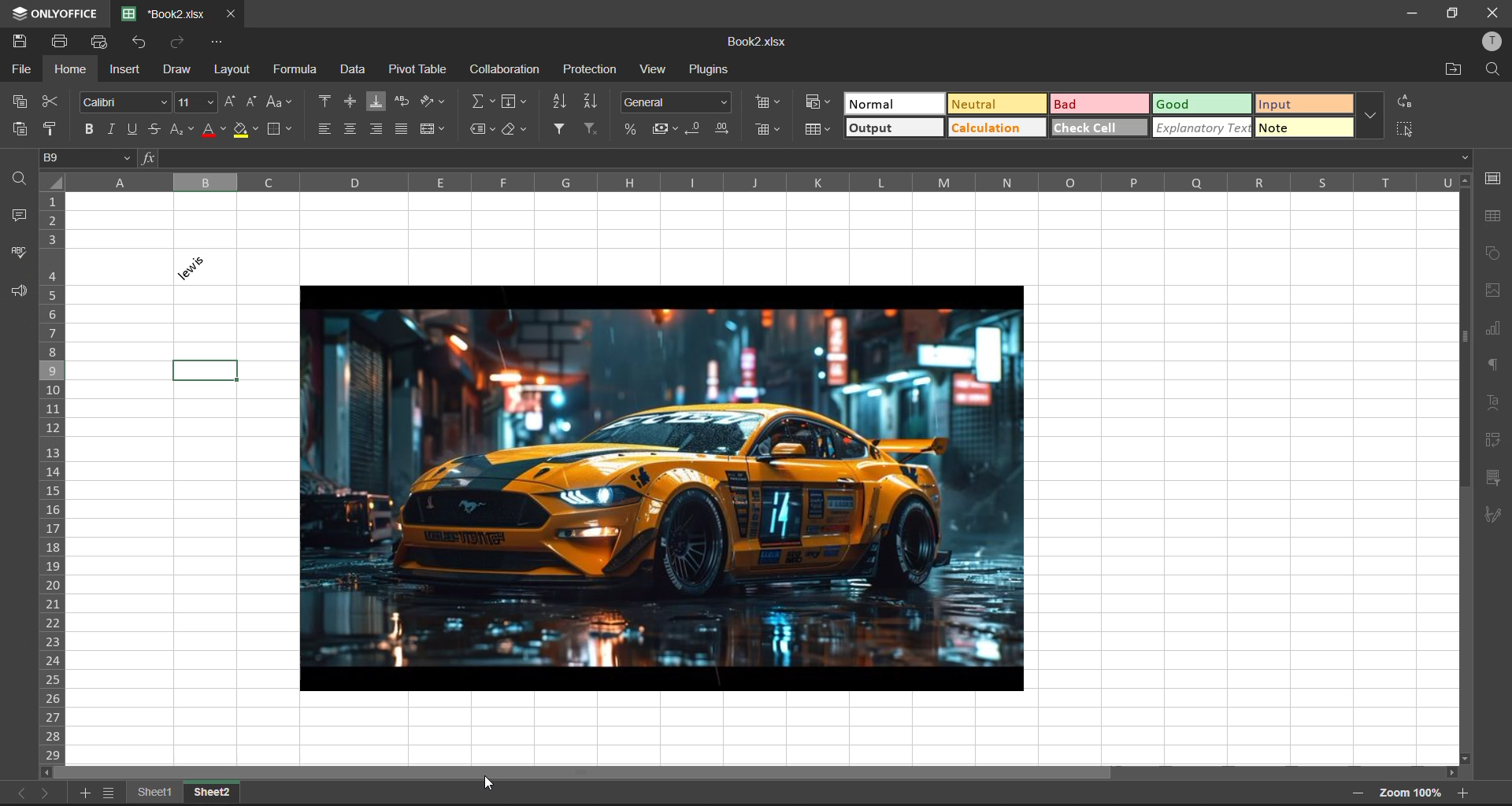 Image resolution: width=1512 pixels, height=806 pixels. Describe the element at coordinates (419, 72) in the screenshot. I see `pivot table` at that location.